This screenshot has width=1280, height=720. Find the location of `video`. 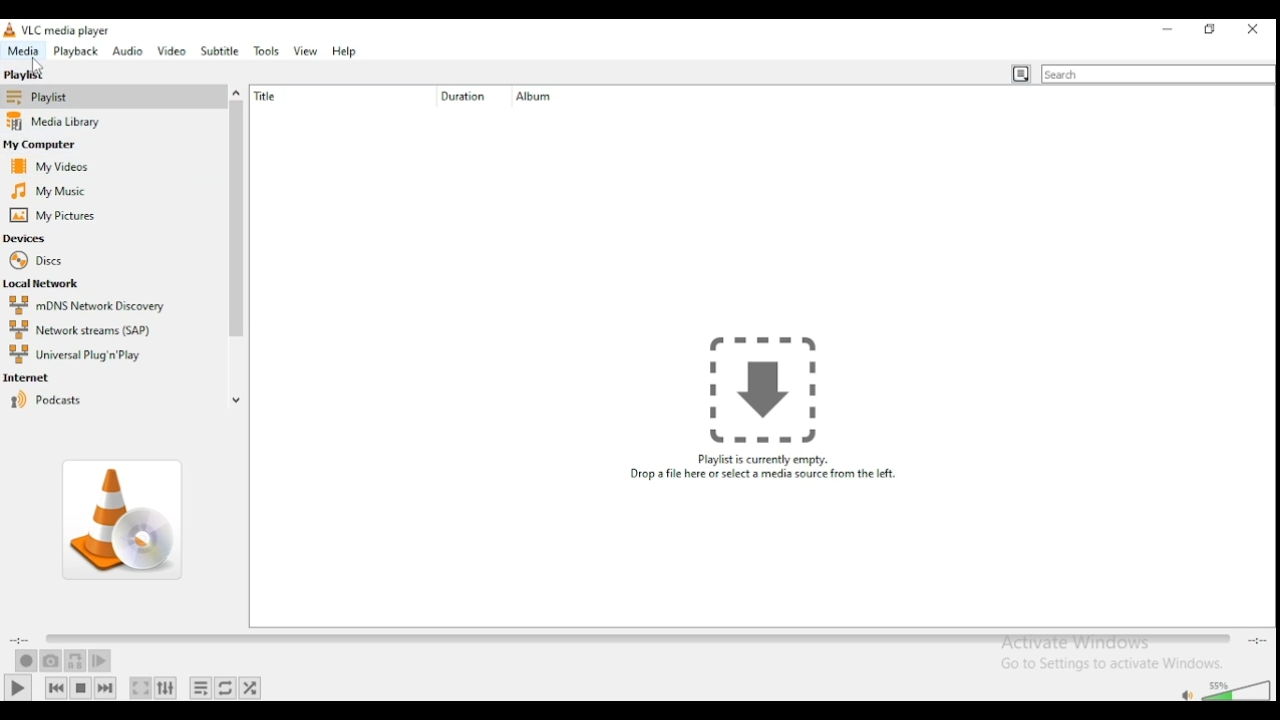

video is located at coordinates (173, 50).